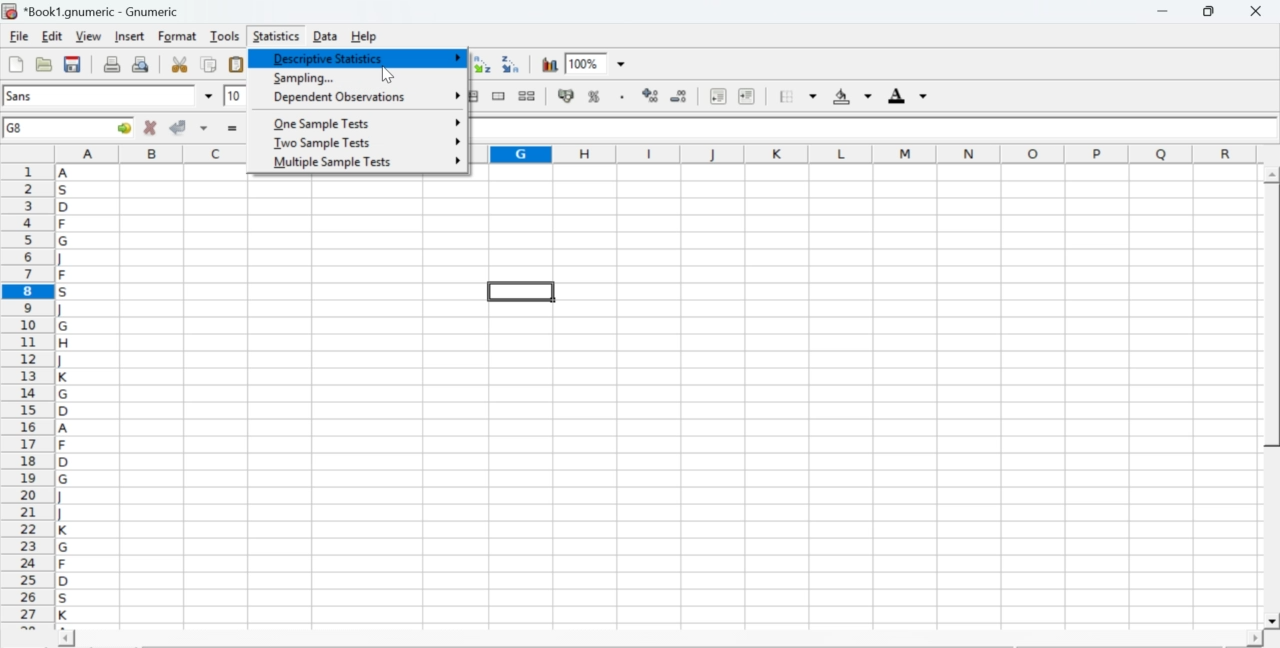 The width and height of the screenshot is (1280, 648). I want to click on paste, so click(238, 65).